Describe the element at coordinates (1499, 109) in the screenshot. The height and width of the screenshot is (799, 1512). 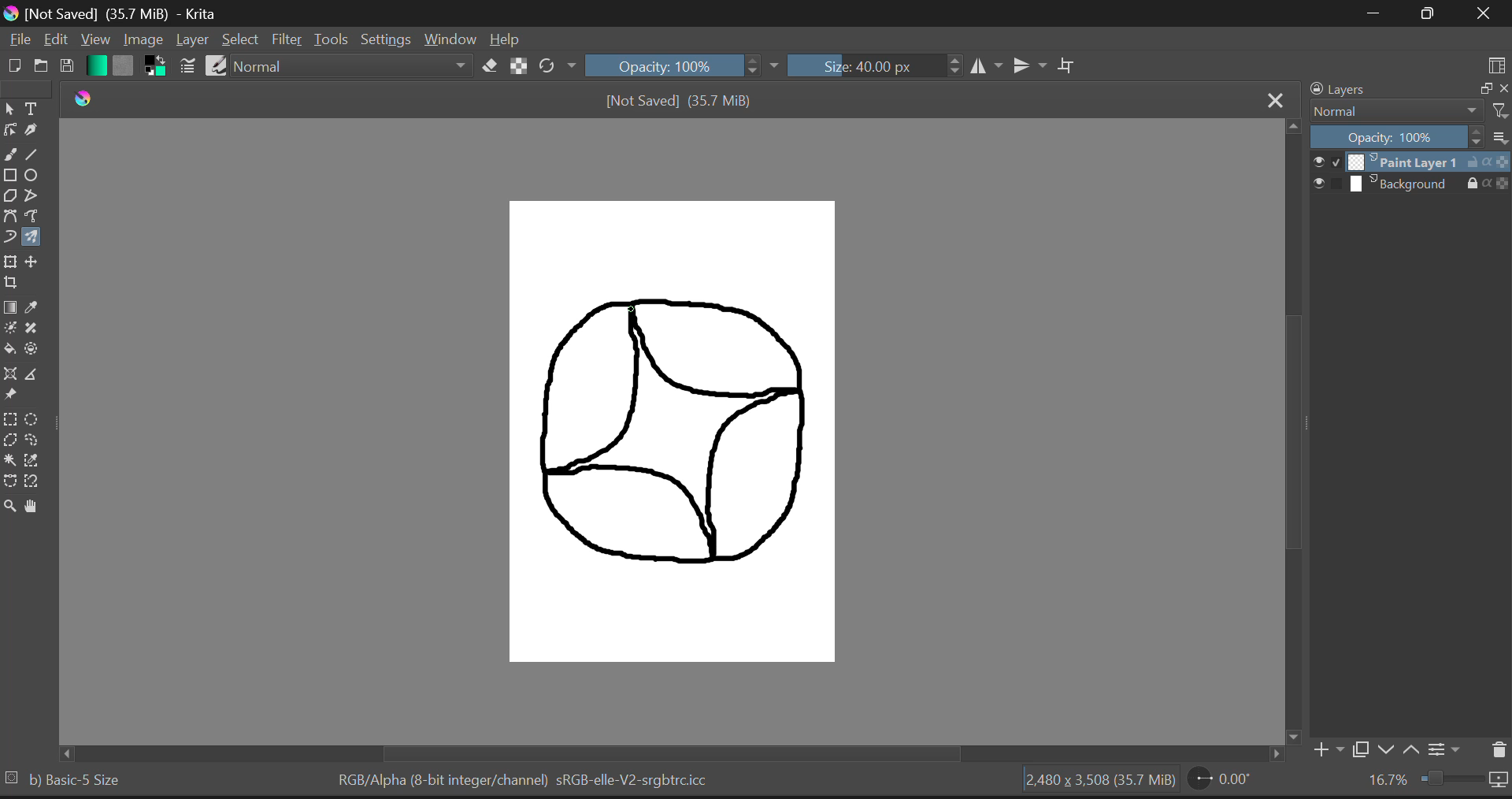
I see `filter` at that location.